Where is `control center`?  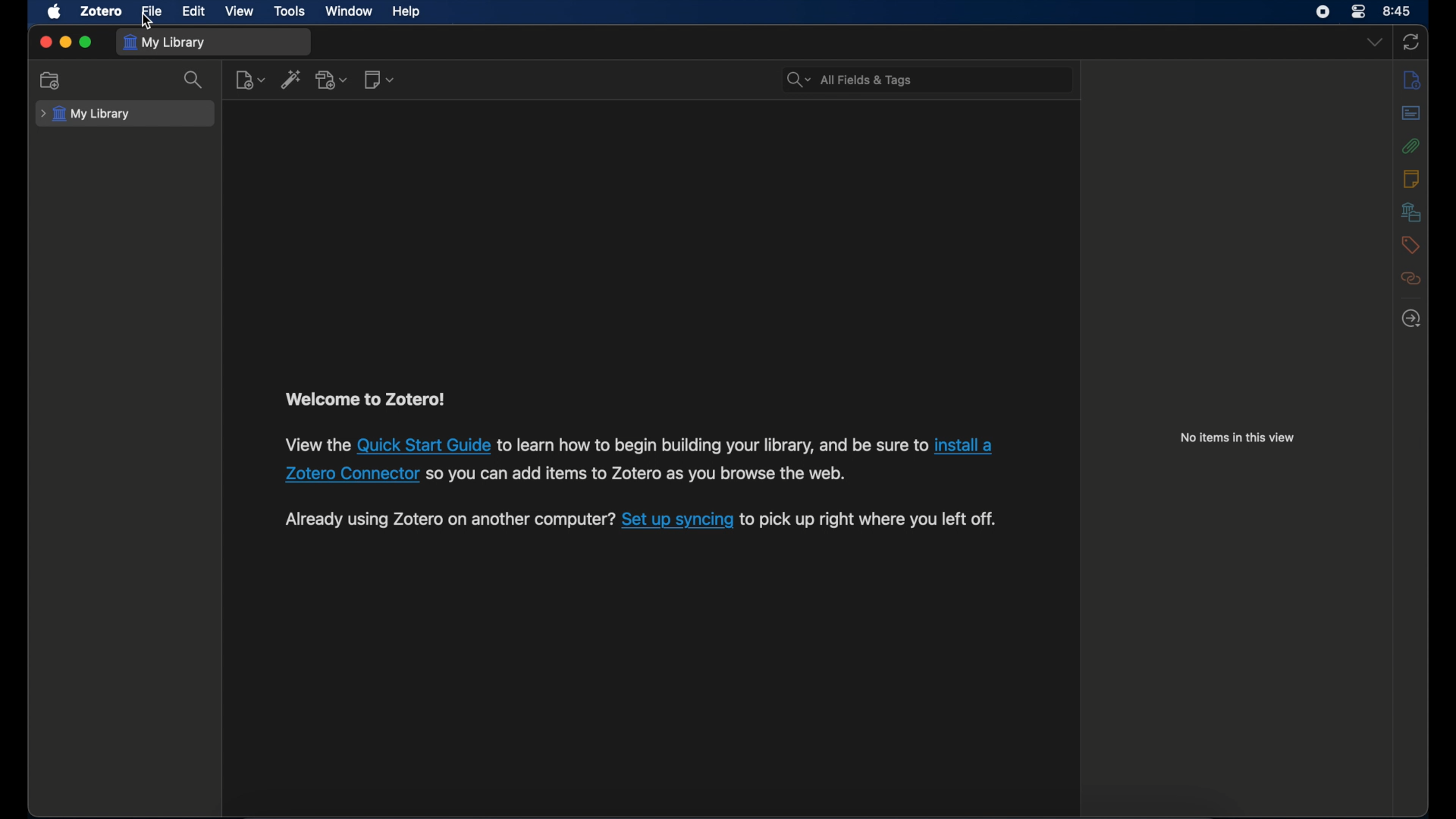
control center is located at coordinates (1323, 12).